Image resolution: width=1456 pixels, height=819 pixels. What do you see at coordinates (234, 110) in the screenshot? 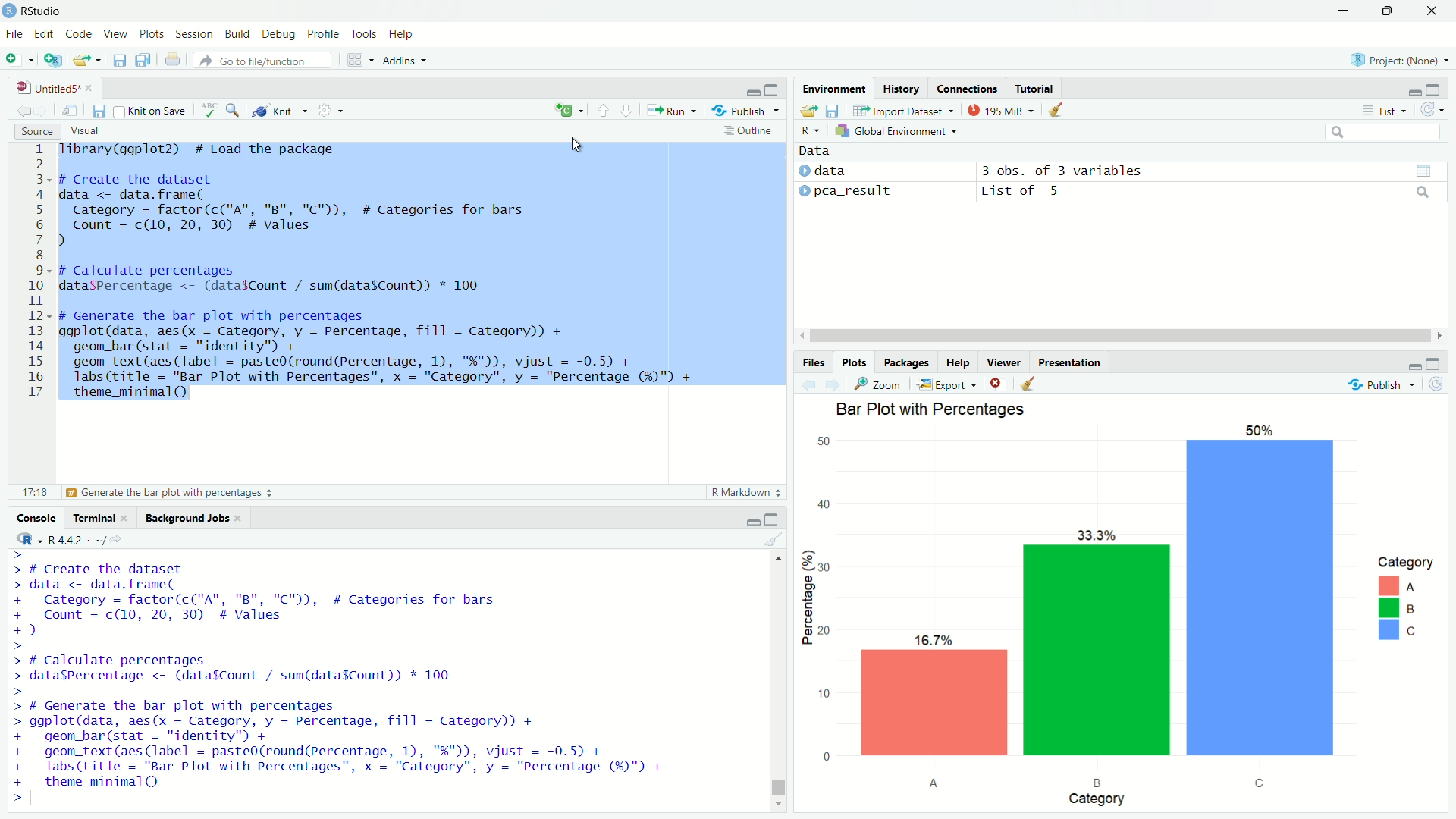
I see `find and repace` at bounding box center [234, 110].